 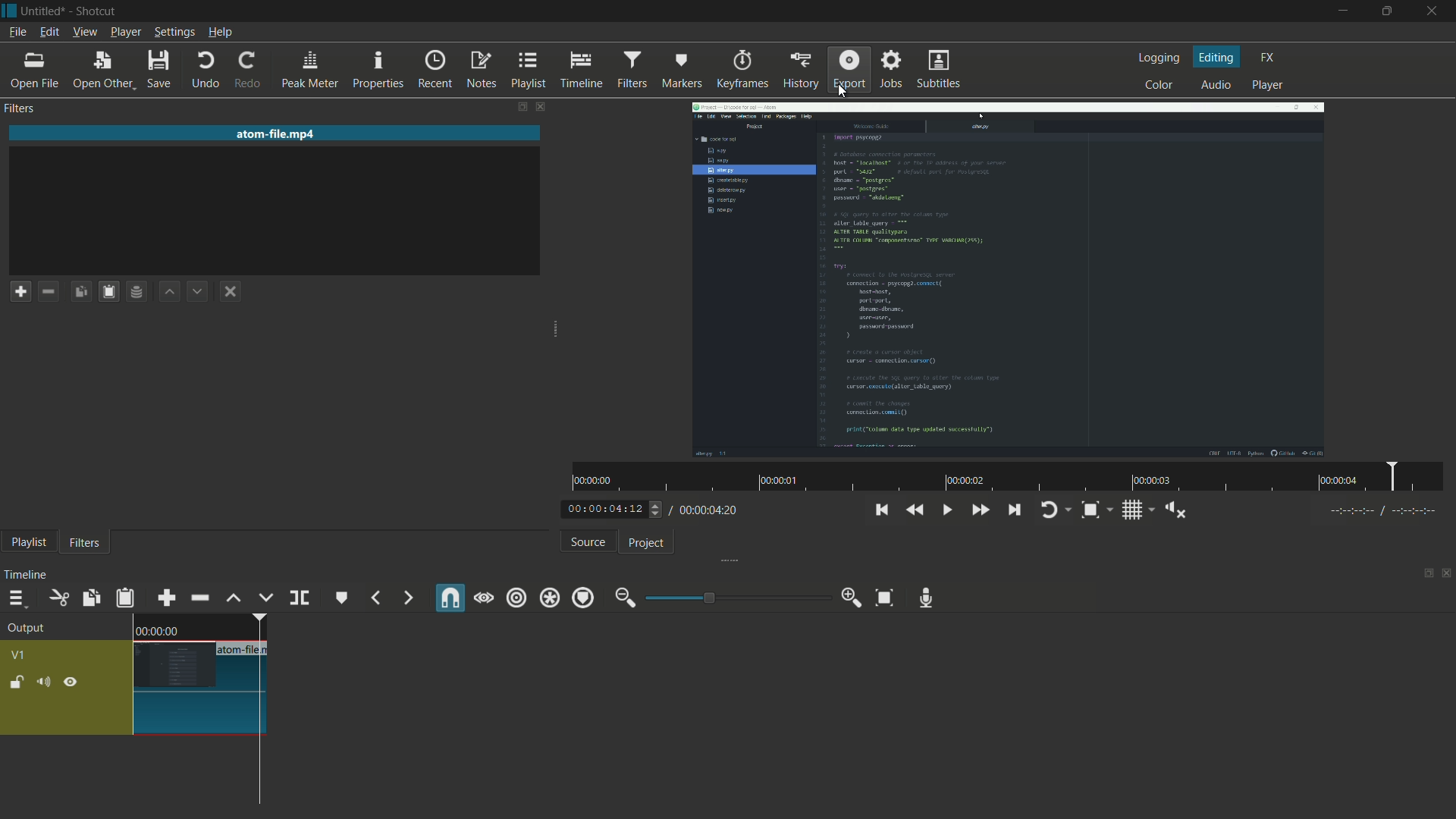 What do you see at coordinates (1132, 512) in the screenshot?
I see `toggle grid` at bounding box center [1132, 512].